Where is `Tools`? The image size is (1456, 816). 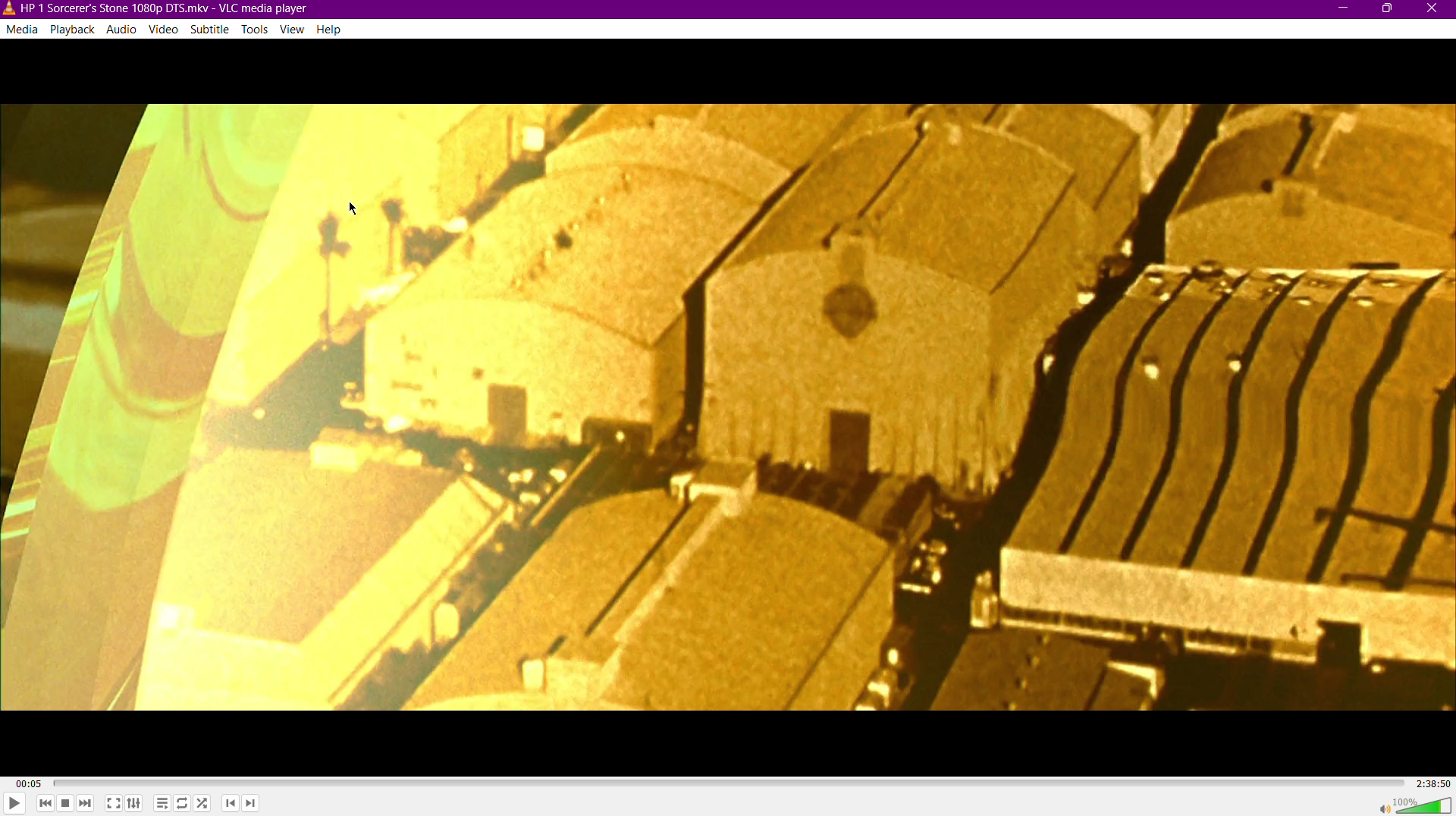
Tools is located at coordinates (256, 30).